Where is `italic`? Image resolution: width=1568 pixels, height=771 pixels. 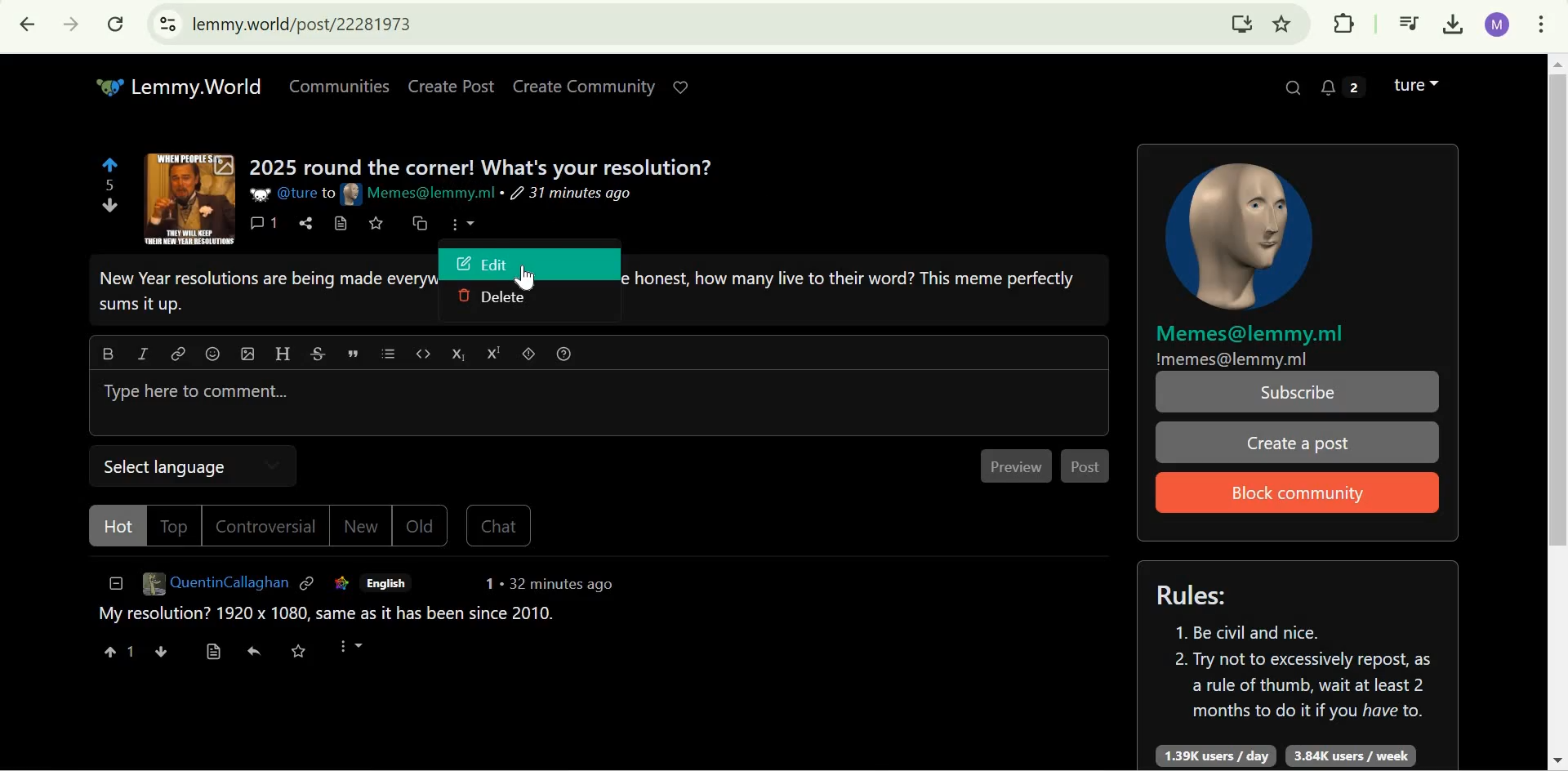
italic is located at coordinates (144, 352).